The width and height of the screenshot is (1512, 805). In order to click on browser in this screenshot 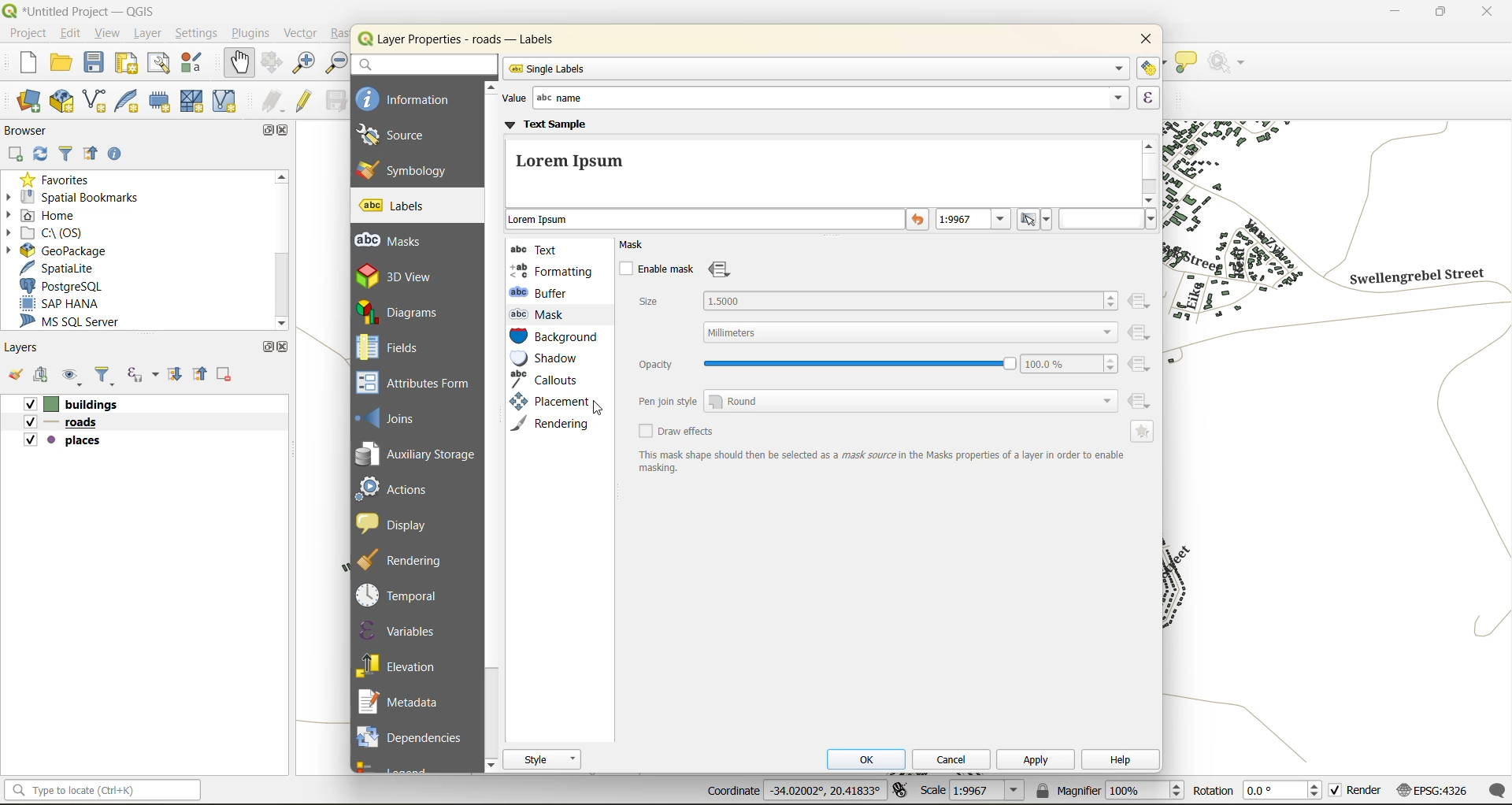, I will do `click(28, 133)`.